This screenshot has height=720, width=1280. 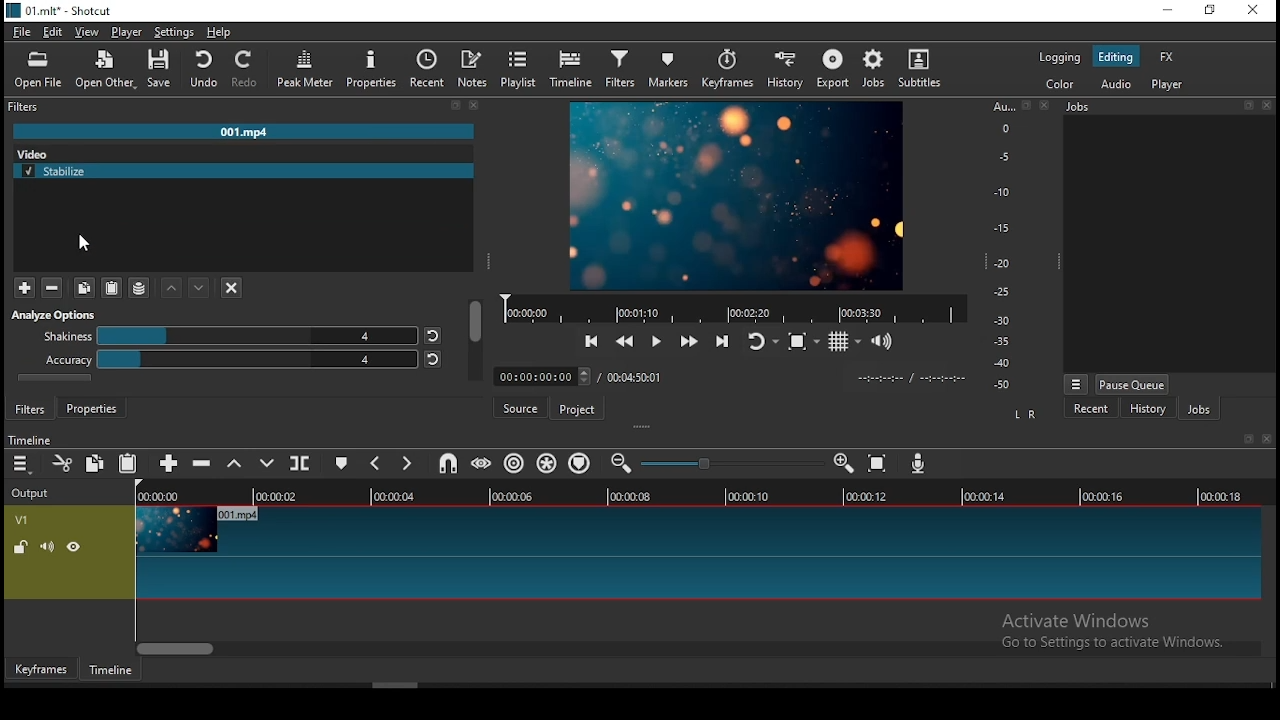 What do you see at coordinates (244, 70) in the screenshot?
I see `Redo` at bounding box center [244, 70].